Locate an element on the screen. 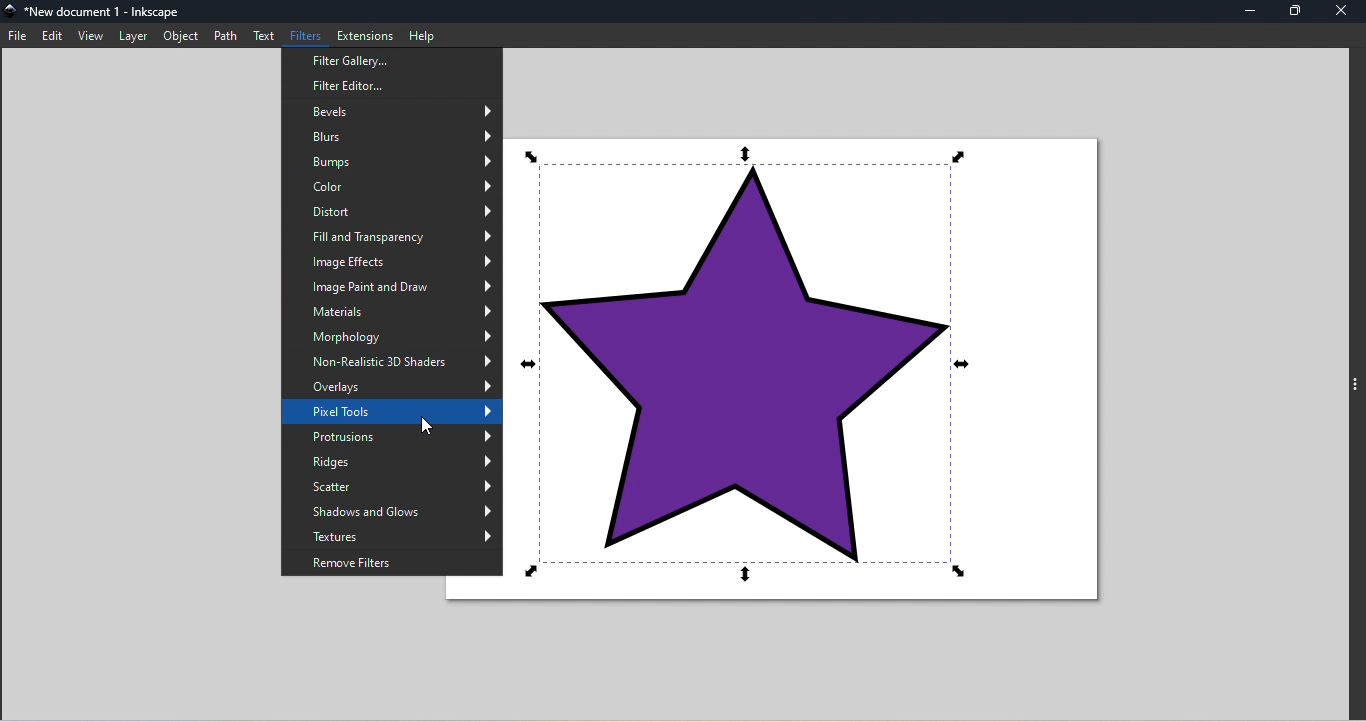 The image size is (1366, 722). Help is located at coordinates (424, 37).